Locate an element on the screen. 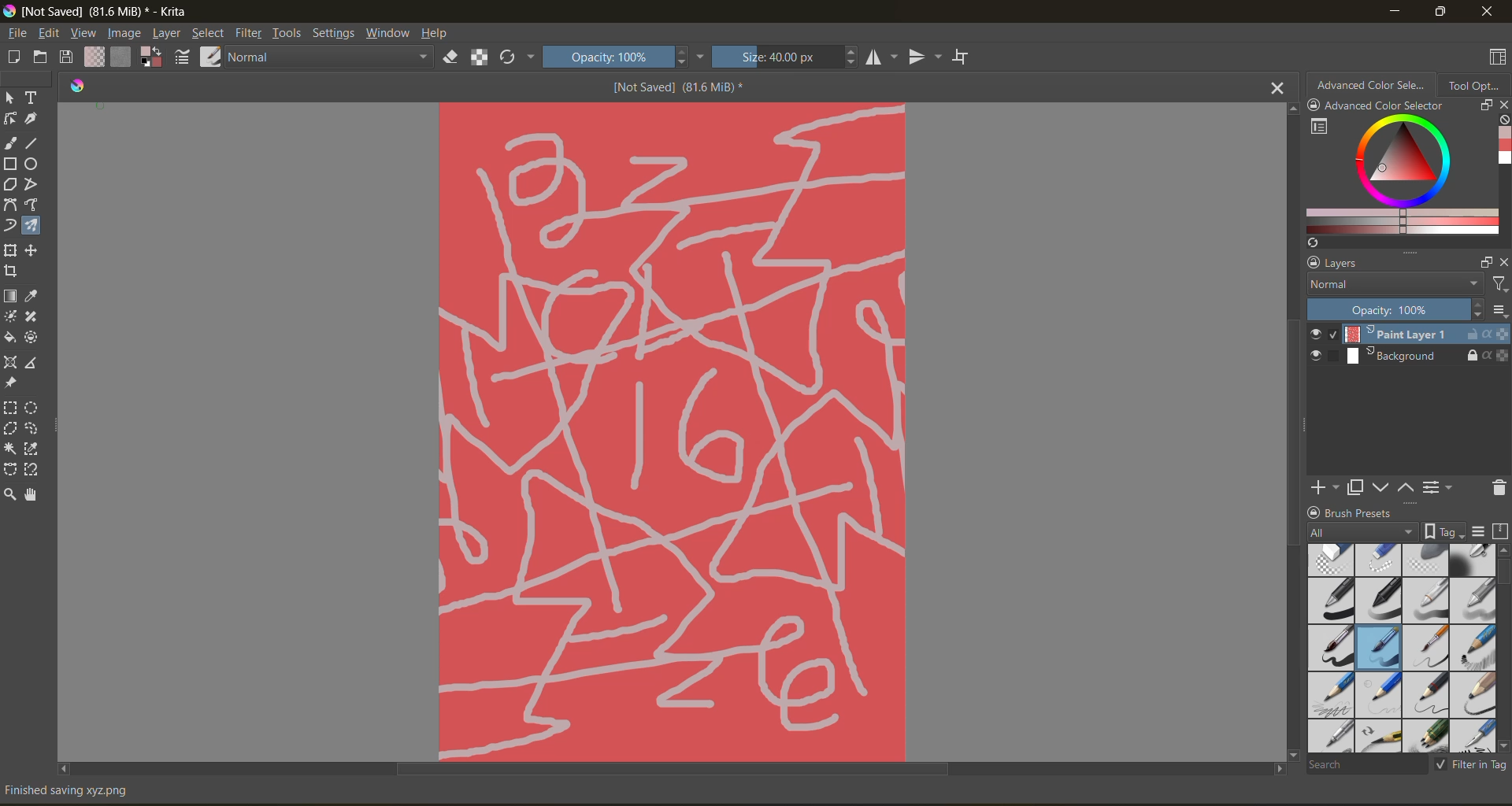 The width and height of the screenshot is (1512, 806). tool is located at coordinates (36, 120).